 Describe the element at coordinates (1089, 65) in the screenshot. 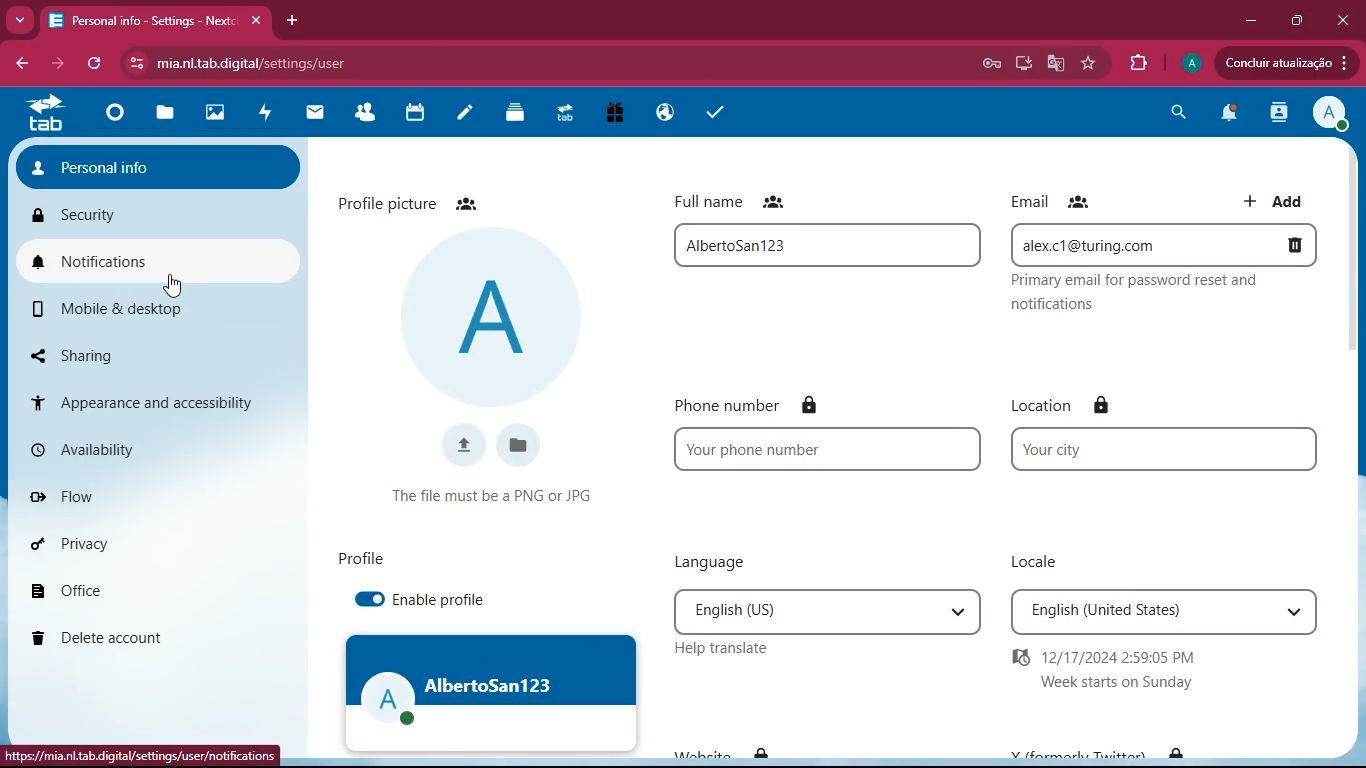

I see `favourite` at that location.